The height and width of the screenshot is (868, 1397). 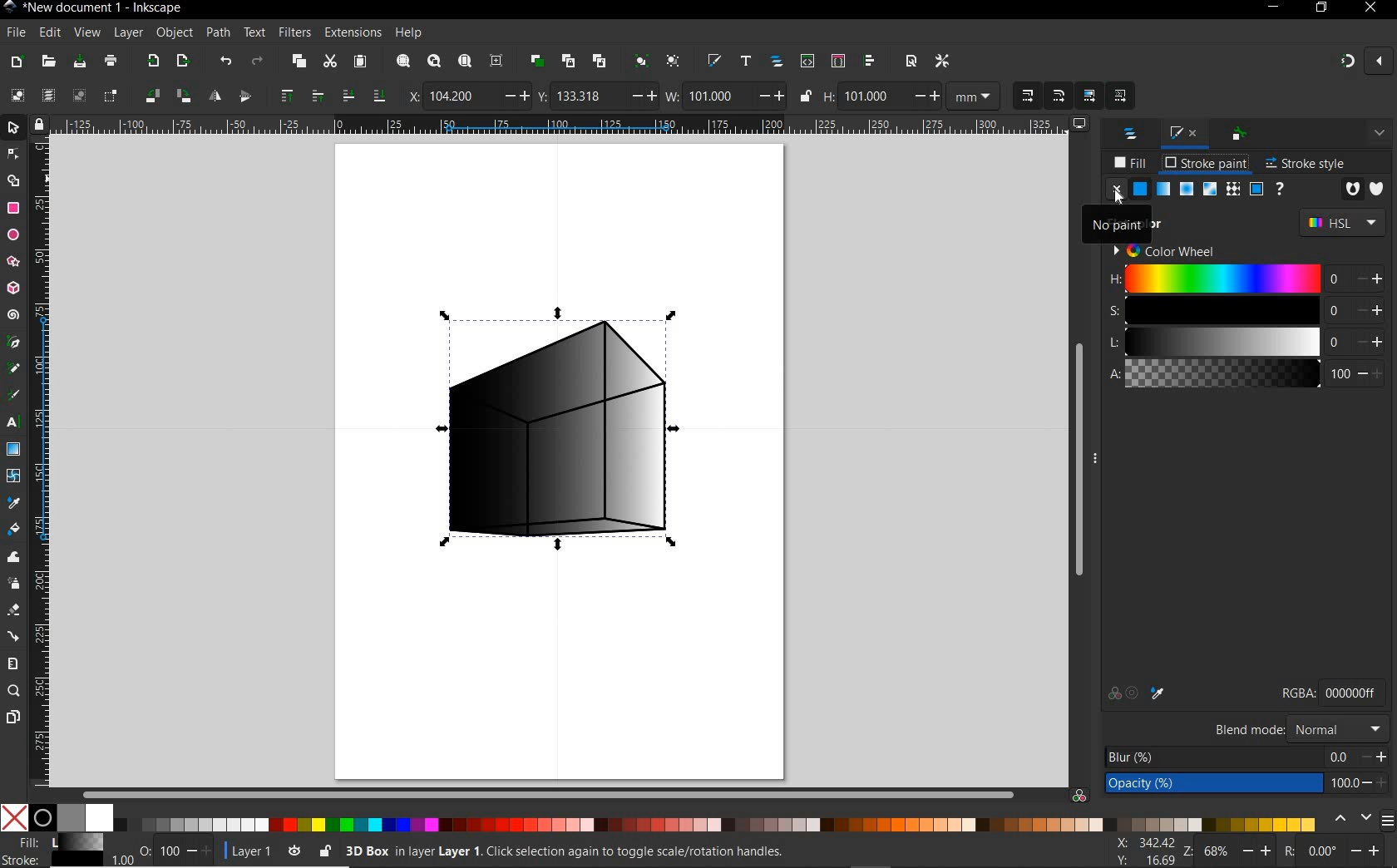 What do you see at coordinates (330, 62) in the screenshot?
I see `CUT` at bounding box center [330, 62].